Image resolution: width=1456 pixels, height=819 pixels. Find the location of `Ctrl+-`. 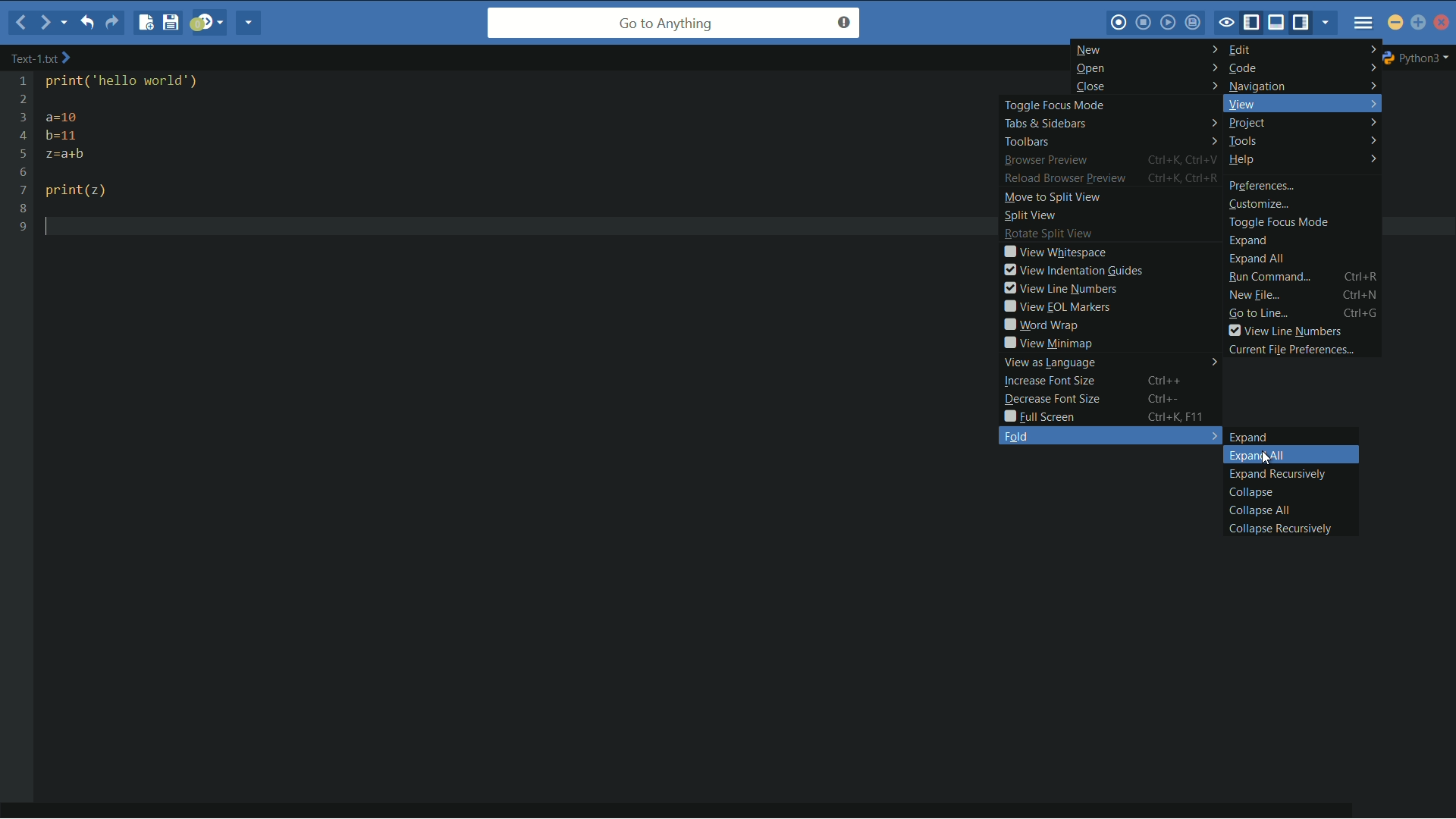

Ctrl+- is located at coordinates (1172, 398).